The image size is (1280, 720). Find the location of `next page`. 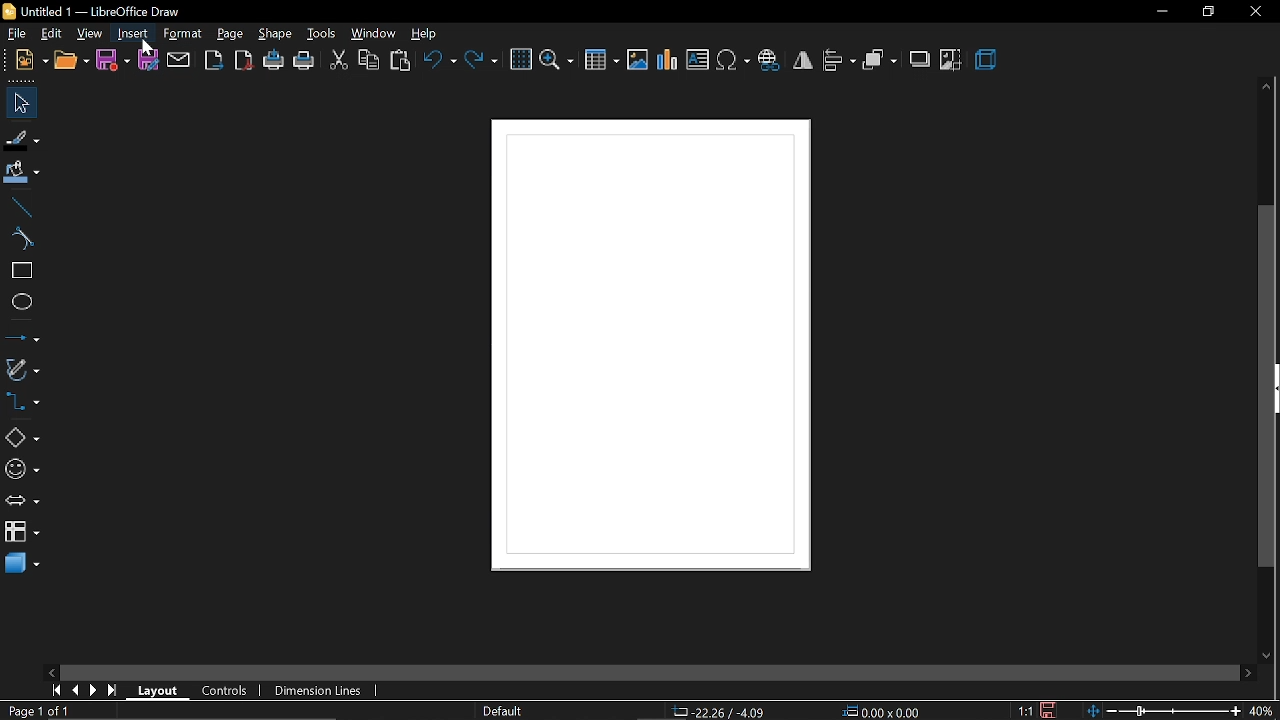

next page is located at coordinates (90, 690).